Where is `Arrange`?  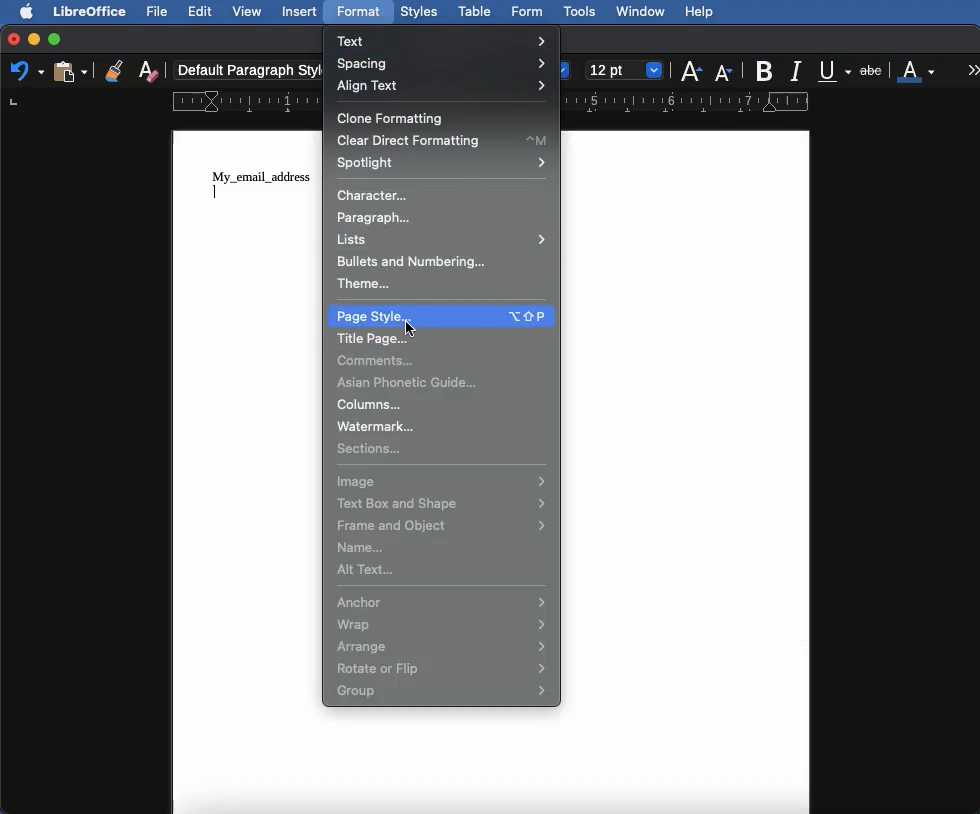 Arrange is located at coordinates (442, 646).